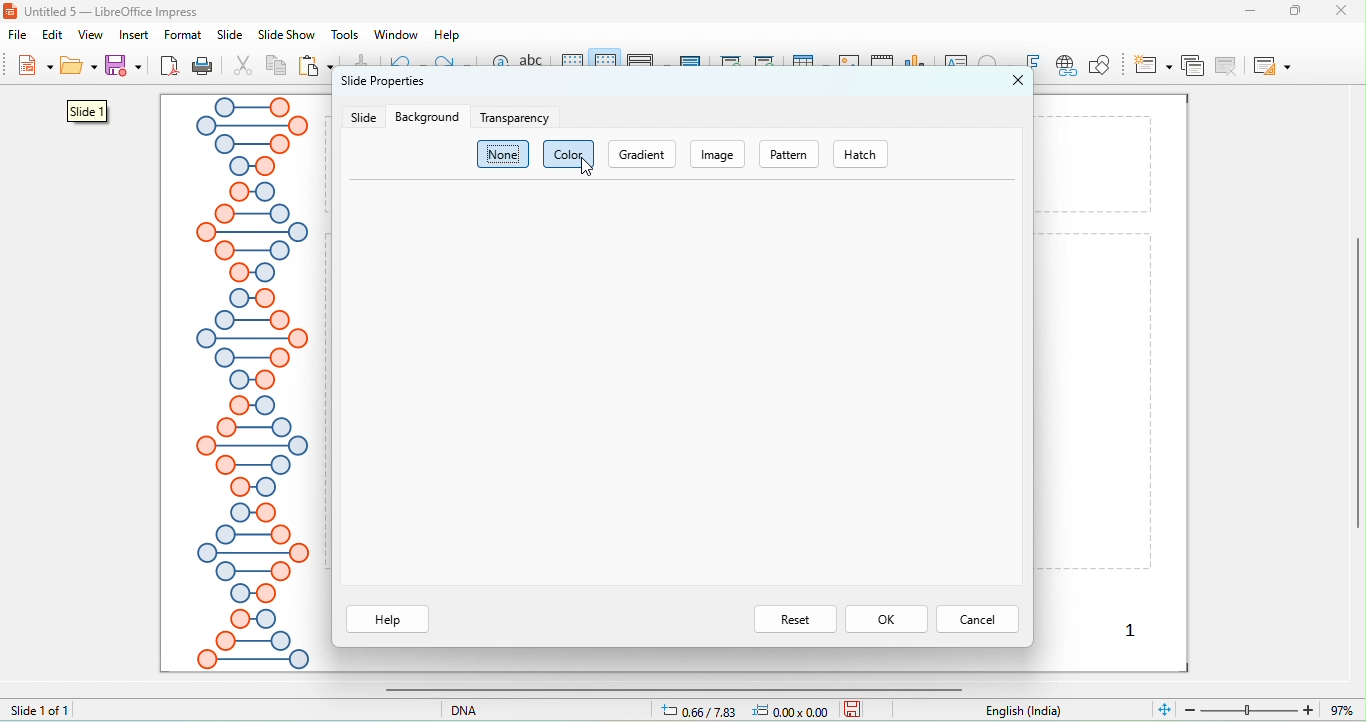 This screenshot has width=1366, height=722. Describe the element at coordinates (607, 64) in the screenshot. I see `snap to grid` at that location.